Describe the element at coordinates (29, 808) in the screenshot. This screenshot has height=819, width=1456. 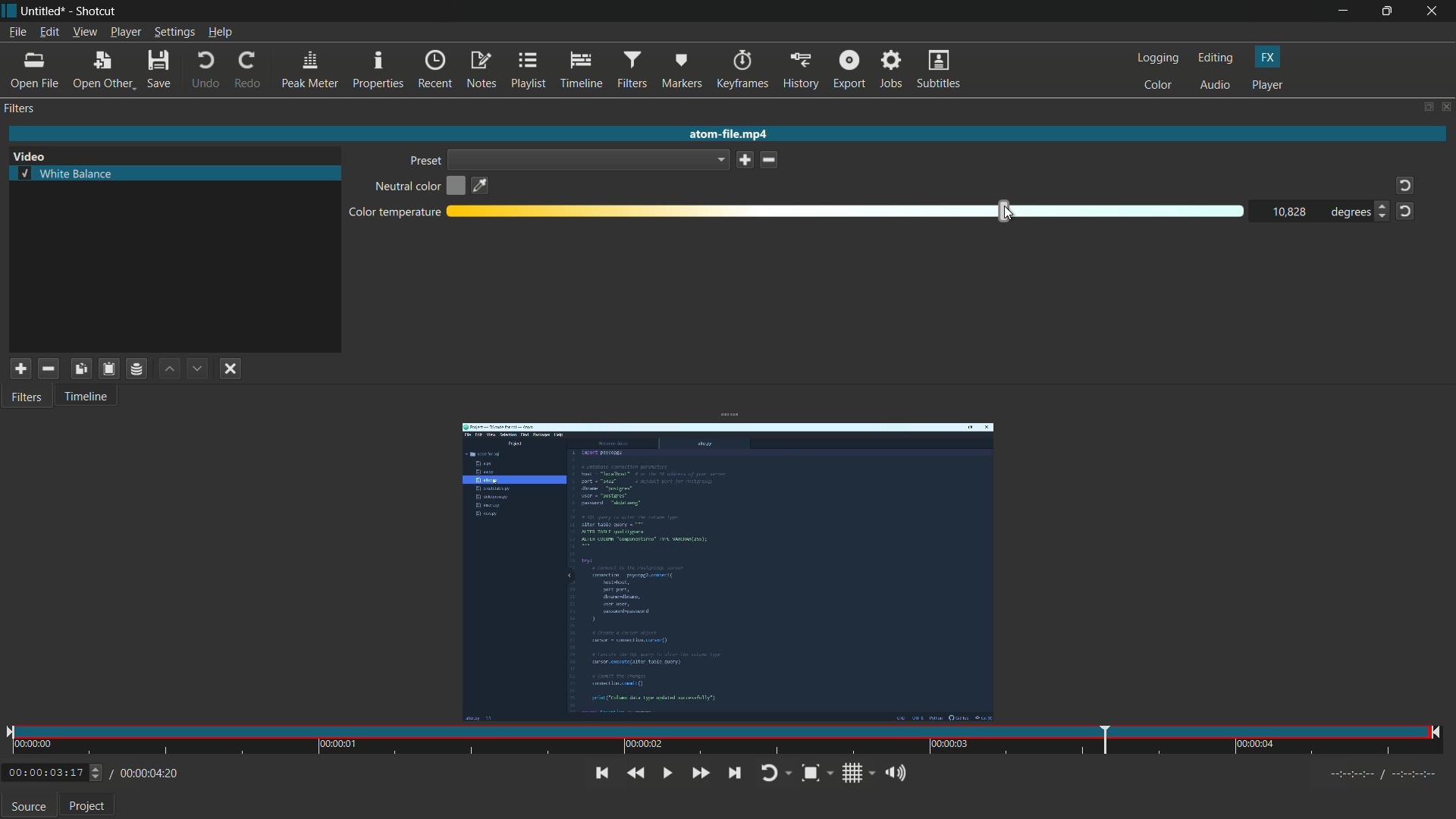
I see `source` at that location.